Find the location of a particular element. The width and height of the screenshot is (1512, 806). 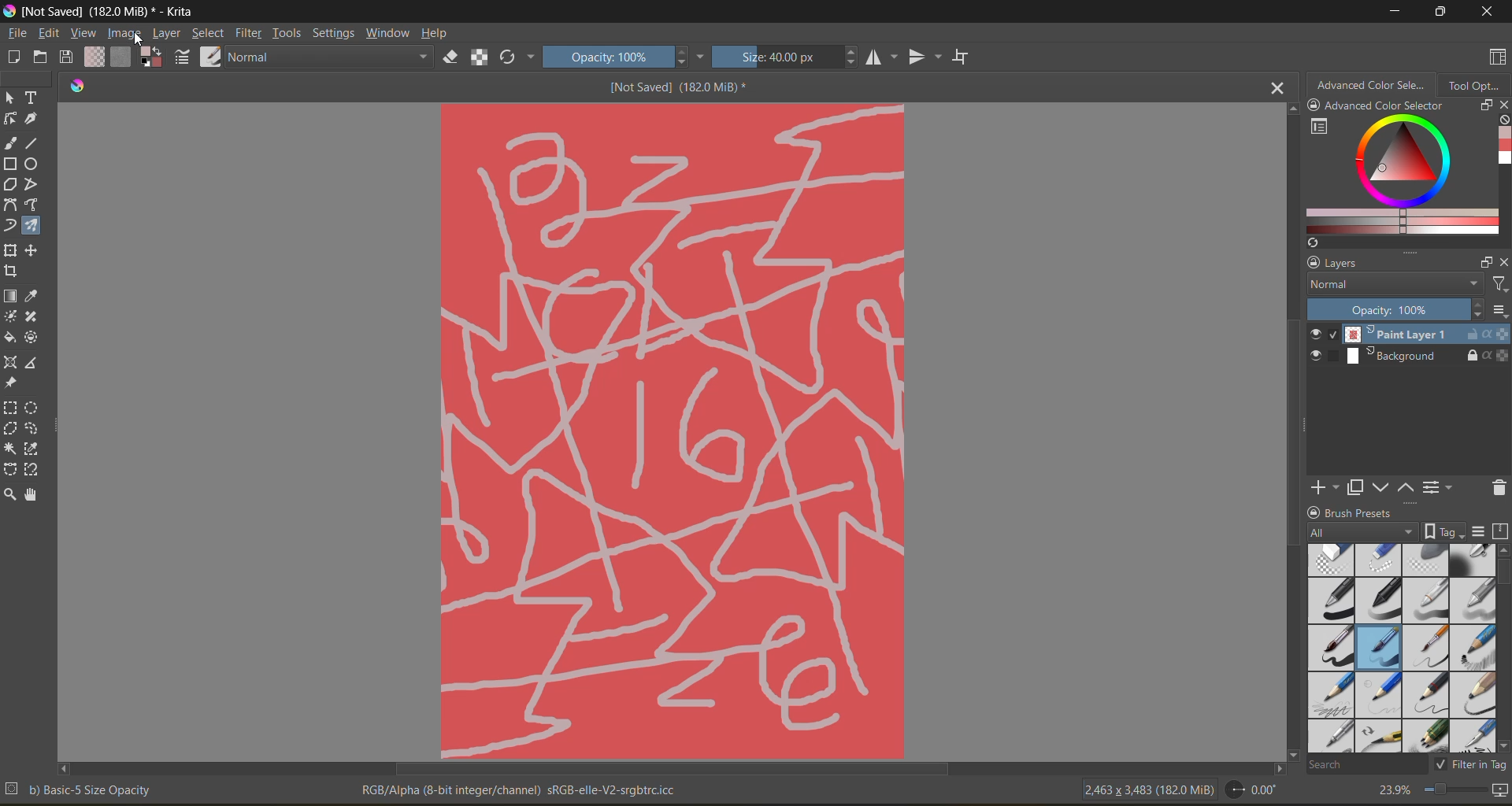

tag is located at coordinates (1359, 533).